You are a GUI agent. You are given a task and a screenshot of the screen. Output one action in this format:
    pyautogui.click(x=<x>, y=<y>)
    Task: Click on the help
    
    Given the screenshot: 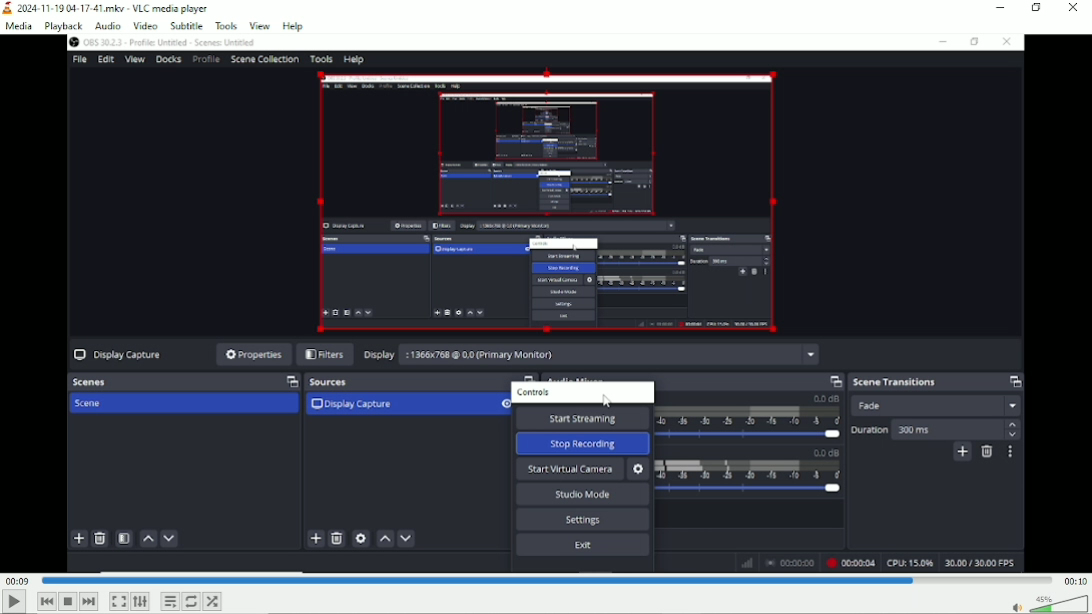 What is the action you would take?
    pyautogui.click(x=294, y=24)
    